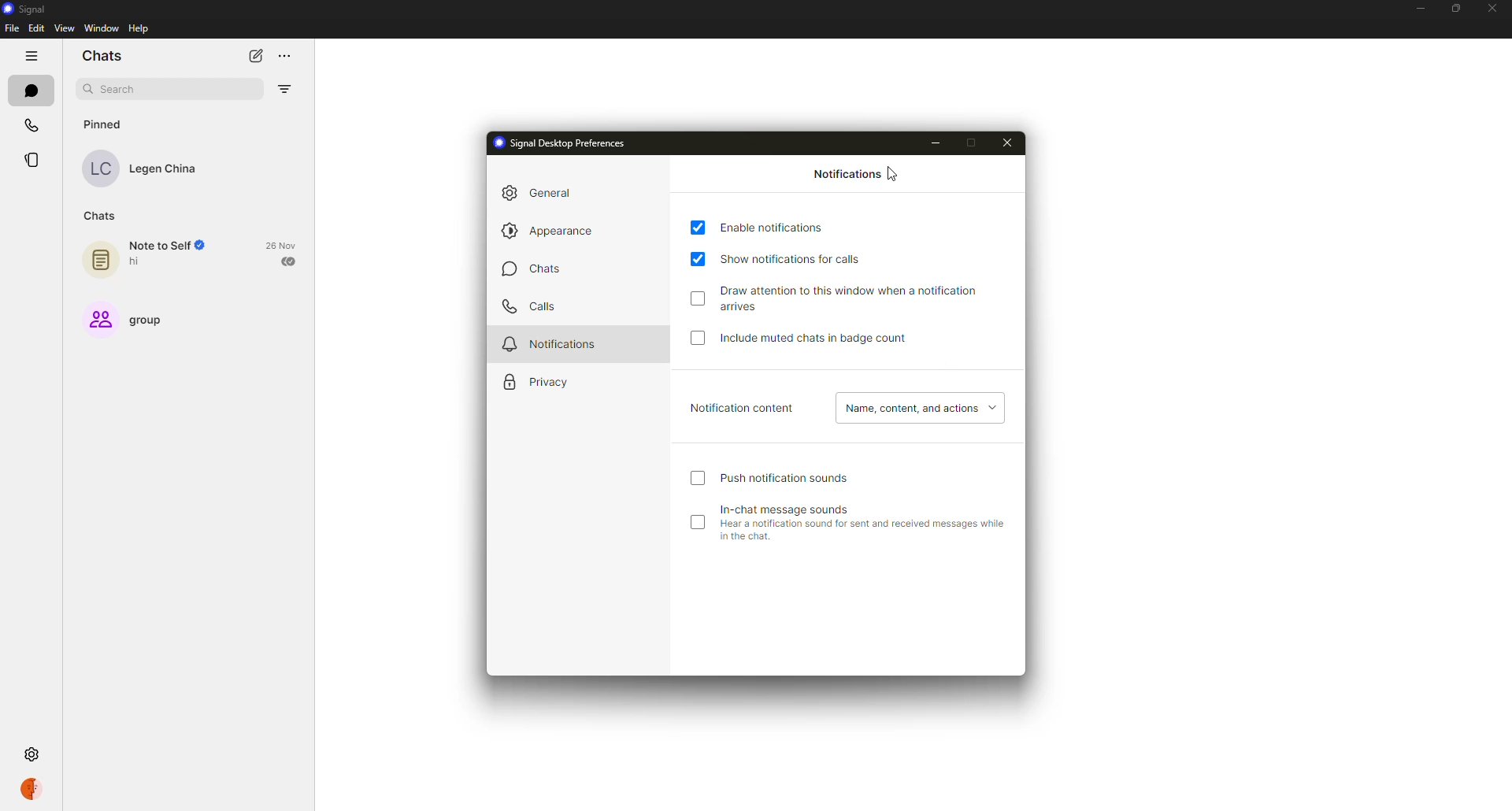  Describe the element at coordinates (281, 244) in the screenshot. I see `date` at that location.